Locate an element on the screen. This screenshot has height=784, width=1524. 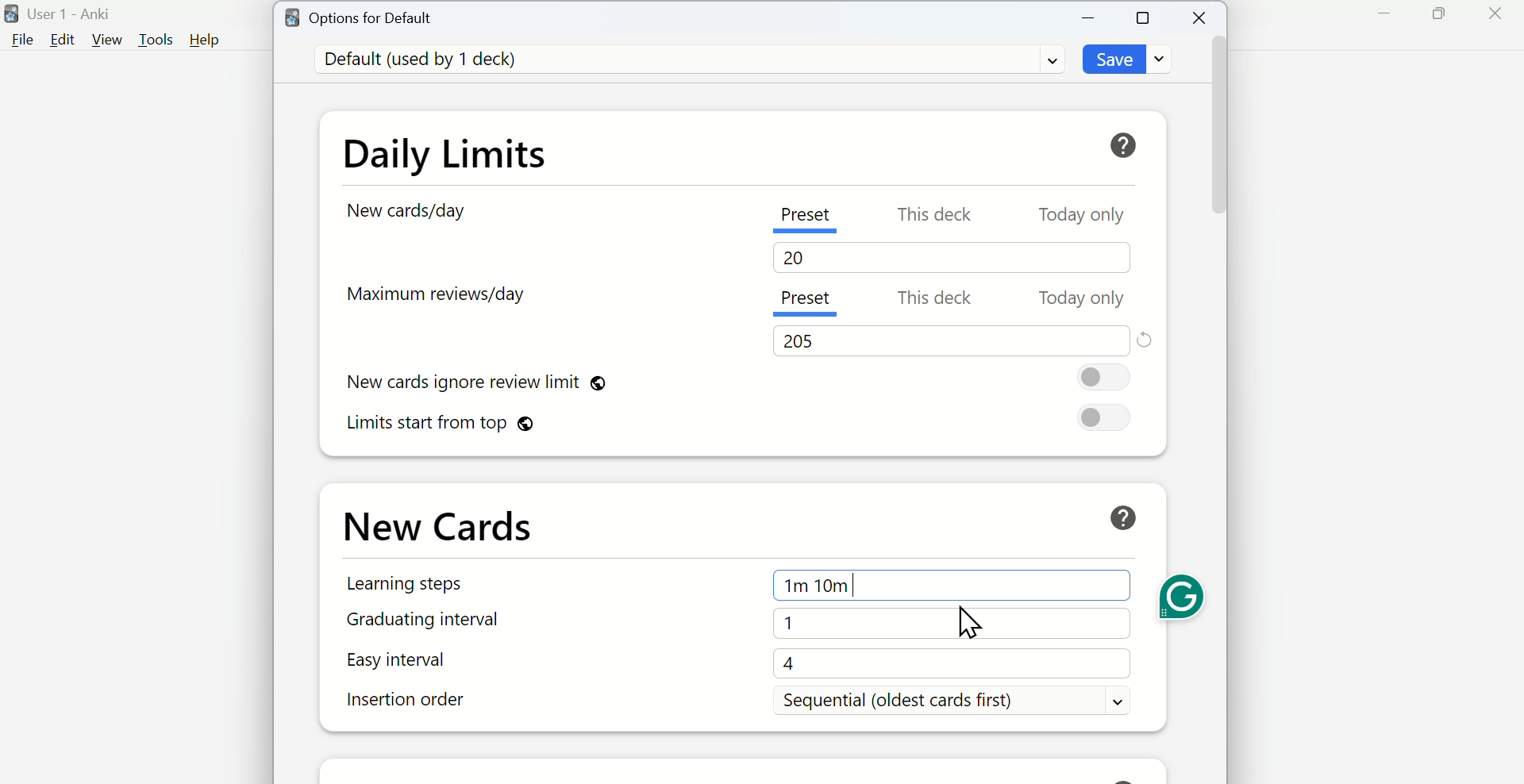
Insertion order is located at coordinates (409, 703).